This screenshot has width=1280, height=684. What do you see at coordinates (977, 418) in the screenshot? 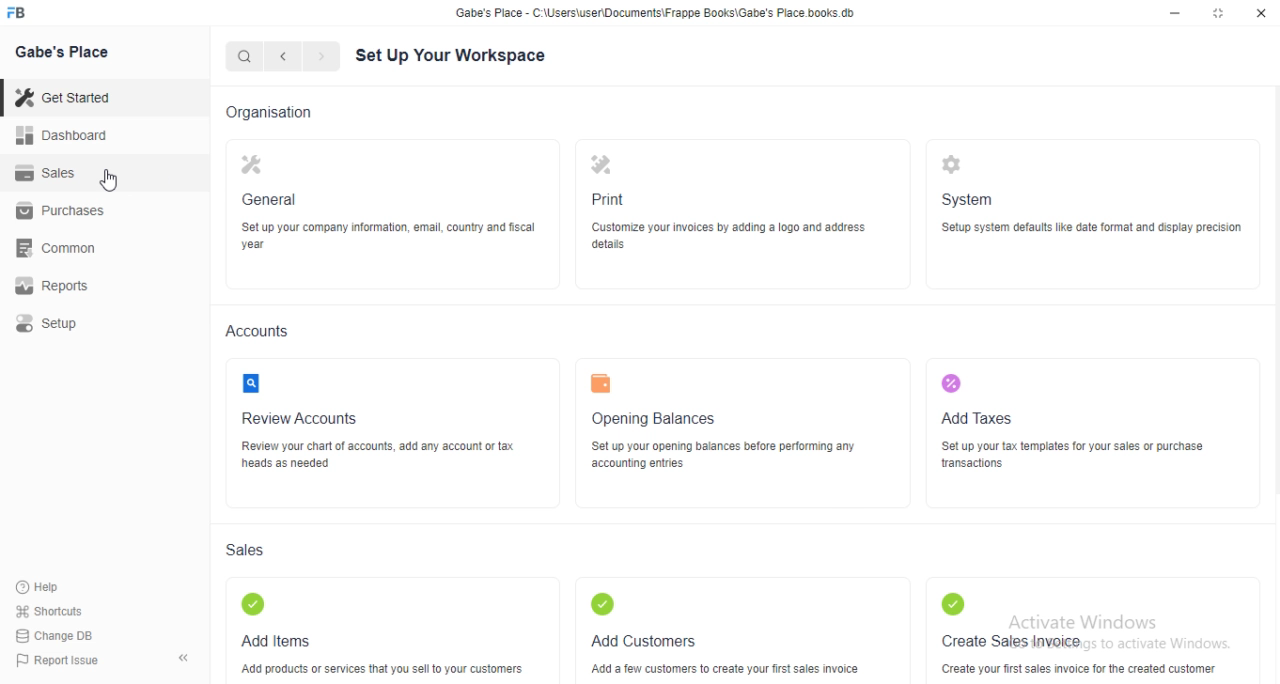
I see `Add Taxes` at bounding box center [977, 418].